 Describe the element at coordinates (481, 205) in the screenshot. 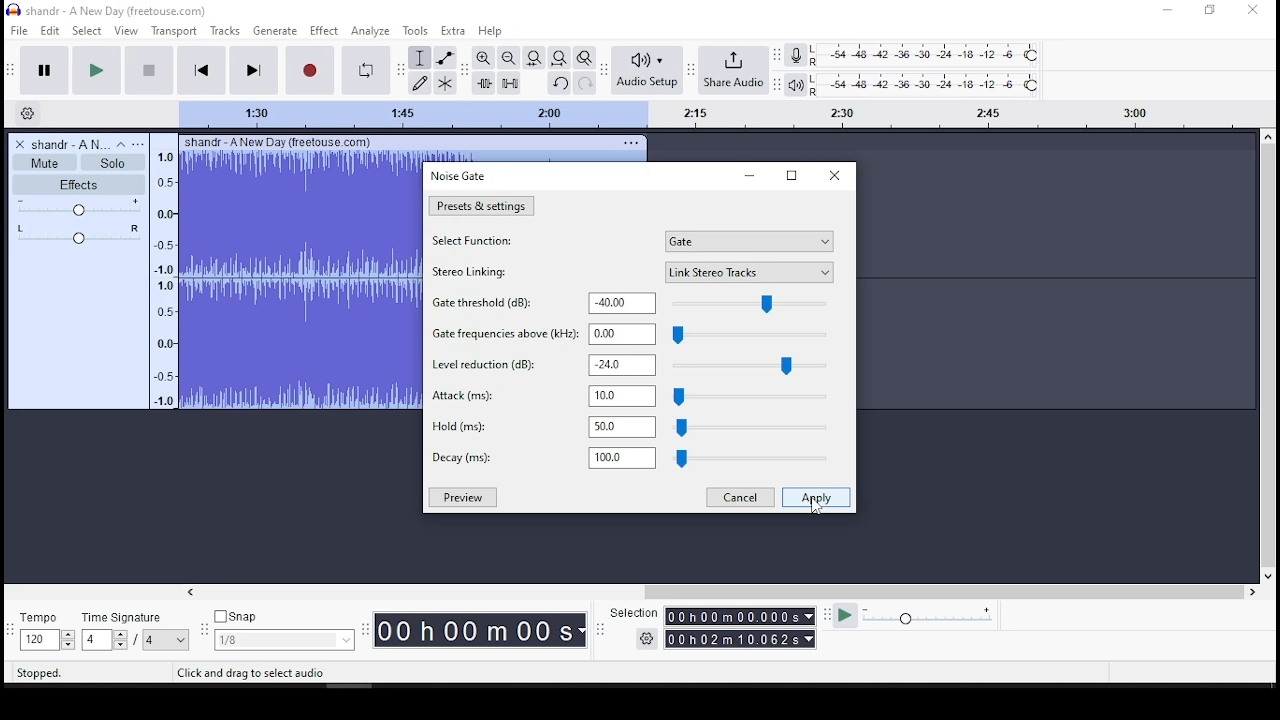

I see `presets and settings` at that location.